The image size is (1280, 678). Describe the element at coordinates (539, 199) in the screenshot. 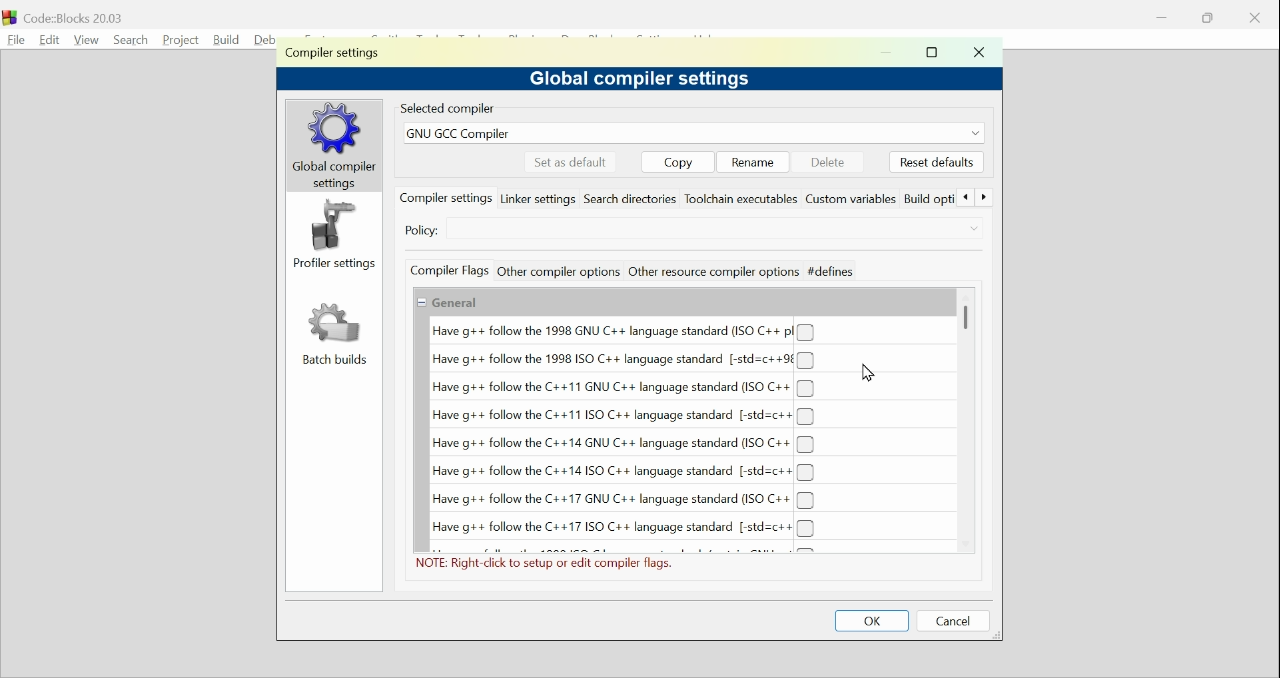

I see `Linker settings` at that location.